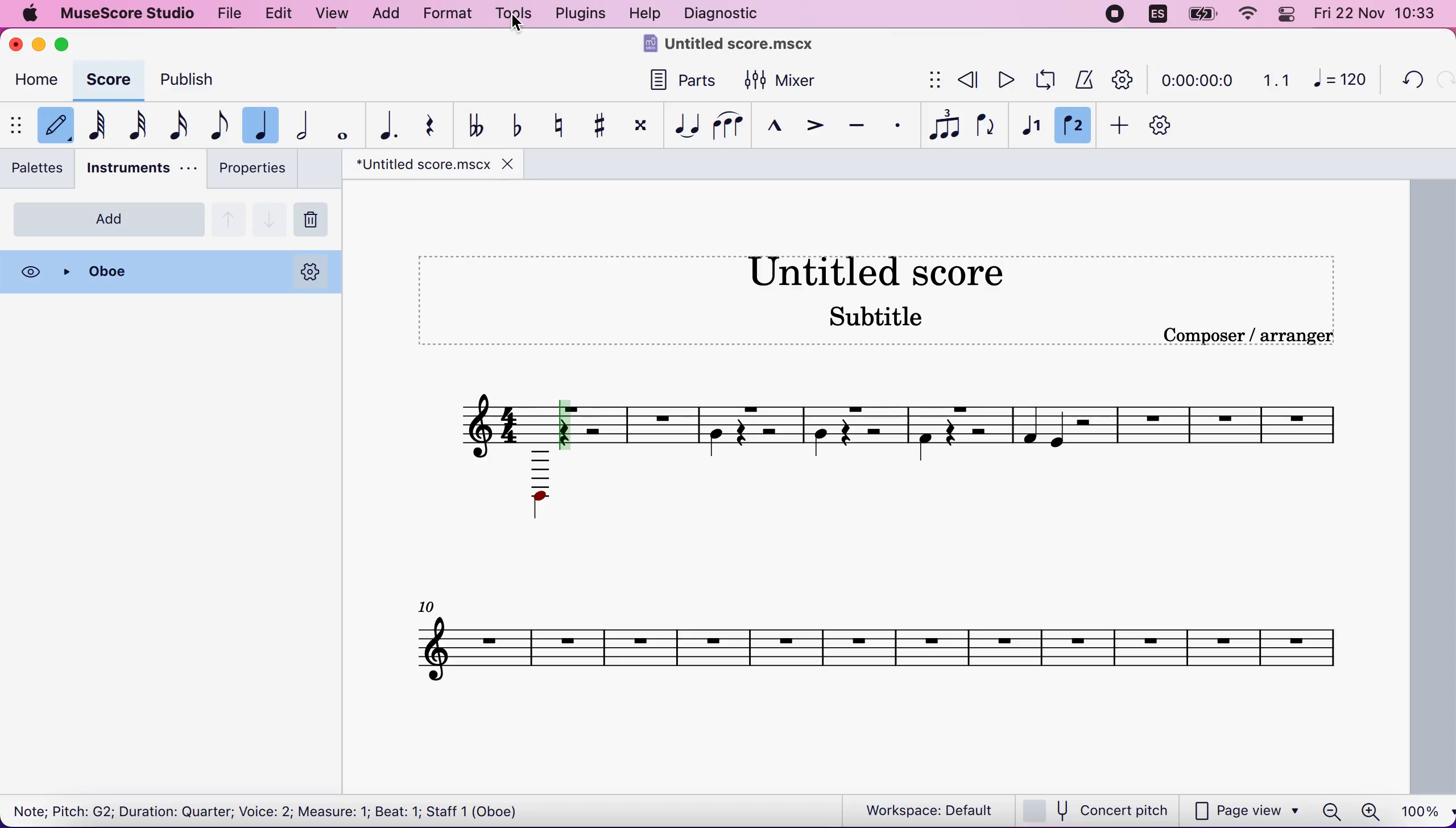 This screenshot has height=828, width=1456. What do you see at coordinates (141, 168) in the screenshot?
I see `instruments` at bounding box center [141, 168].